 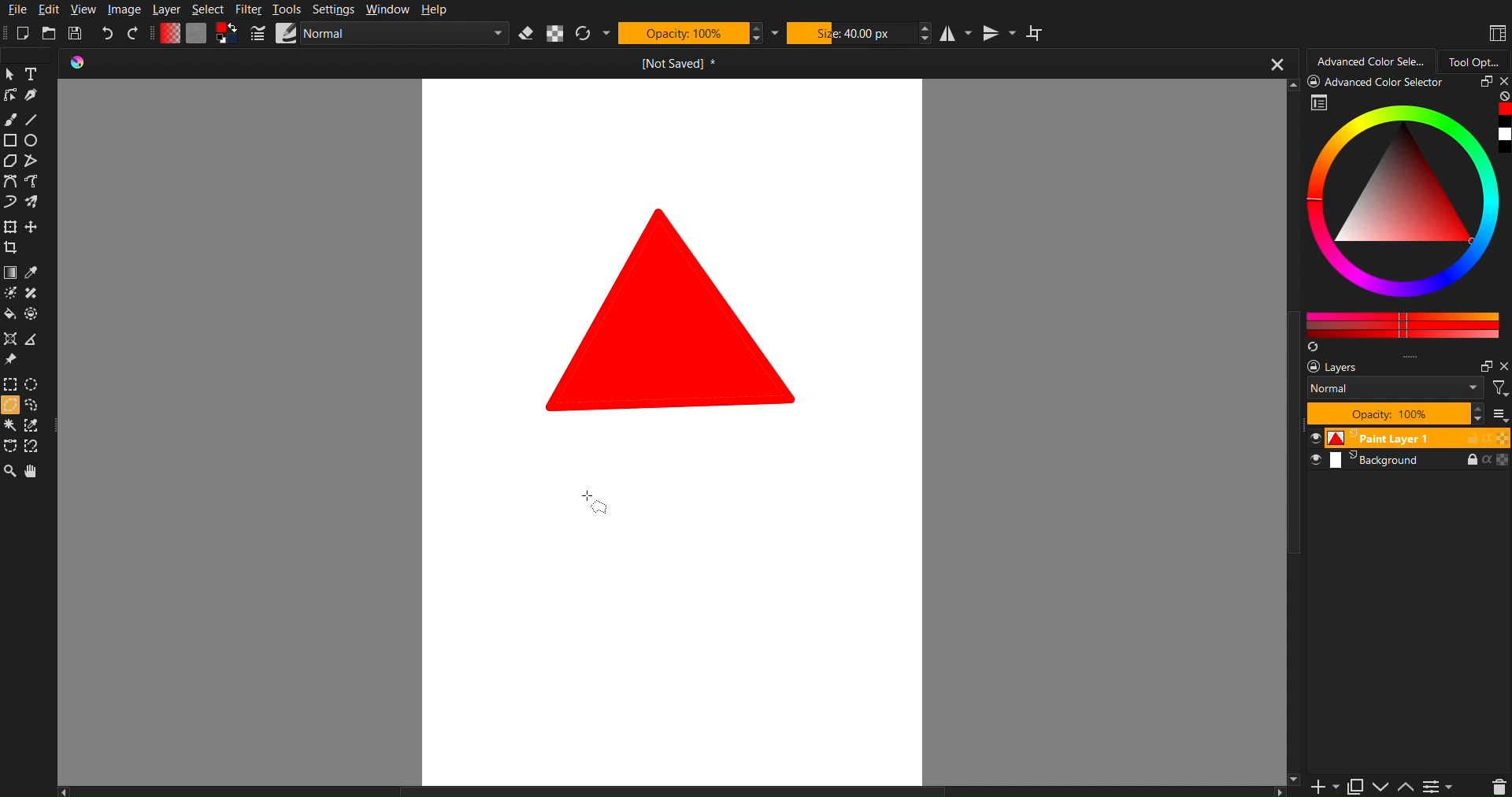 What do you see at coordinates (996, 32) in the screenshot?
I see `Vertical Mirror` at bounding box center [996, 32].